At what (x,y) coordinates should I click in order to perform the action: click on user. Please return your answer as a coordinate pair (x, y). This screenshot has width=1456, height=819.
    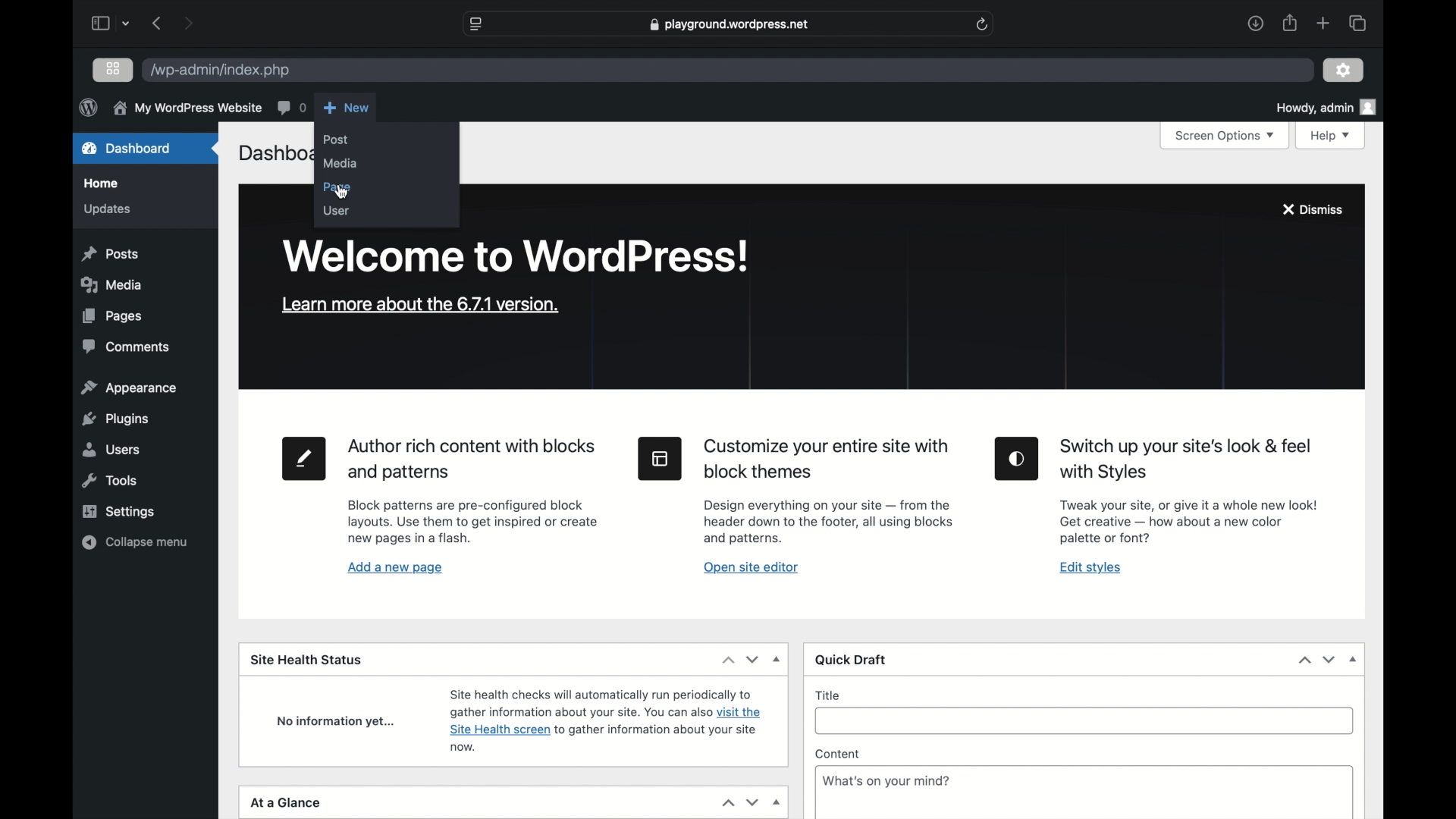
    Looking at the image, I should click on (336, 209).